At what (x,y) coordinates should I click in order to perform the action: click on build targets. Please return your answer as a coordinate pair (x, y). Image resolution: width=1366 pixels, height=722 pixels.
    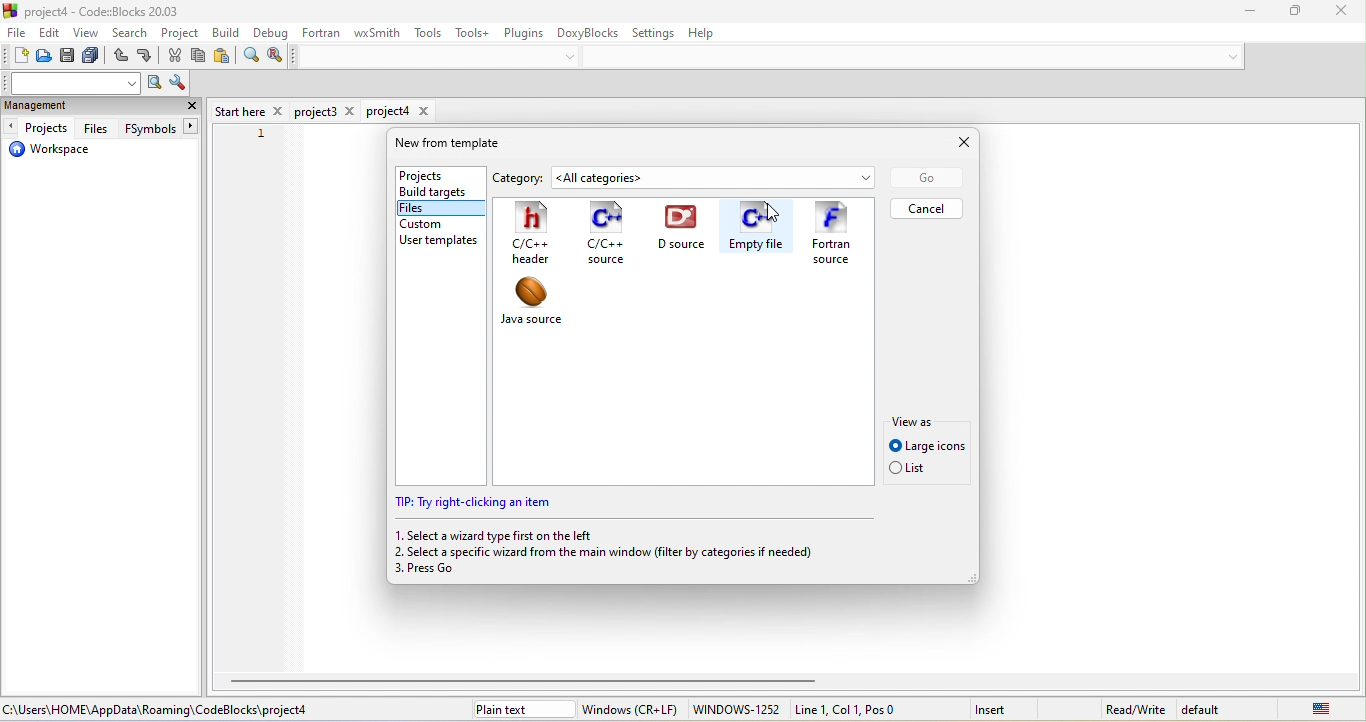
    Looking at the image, I should click on (438, 192).